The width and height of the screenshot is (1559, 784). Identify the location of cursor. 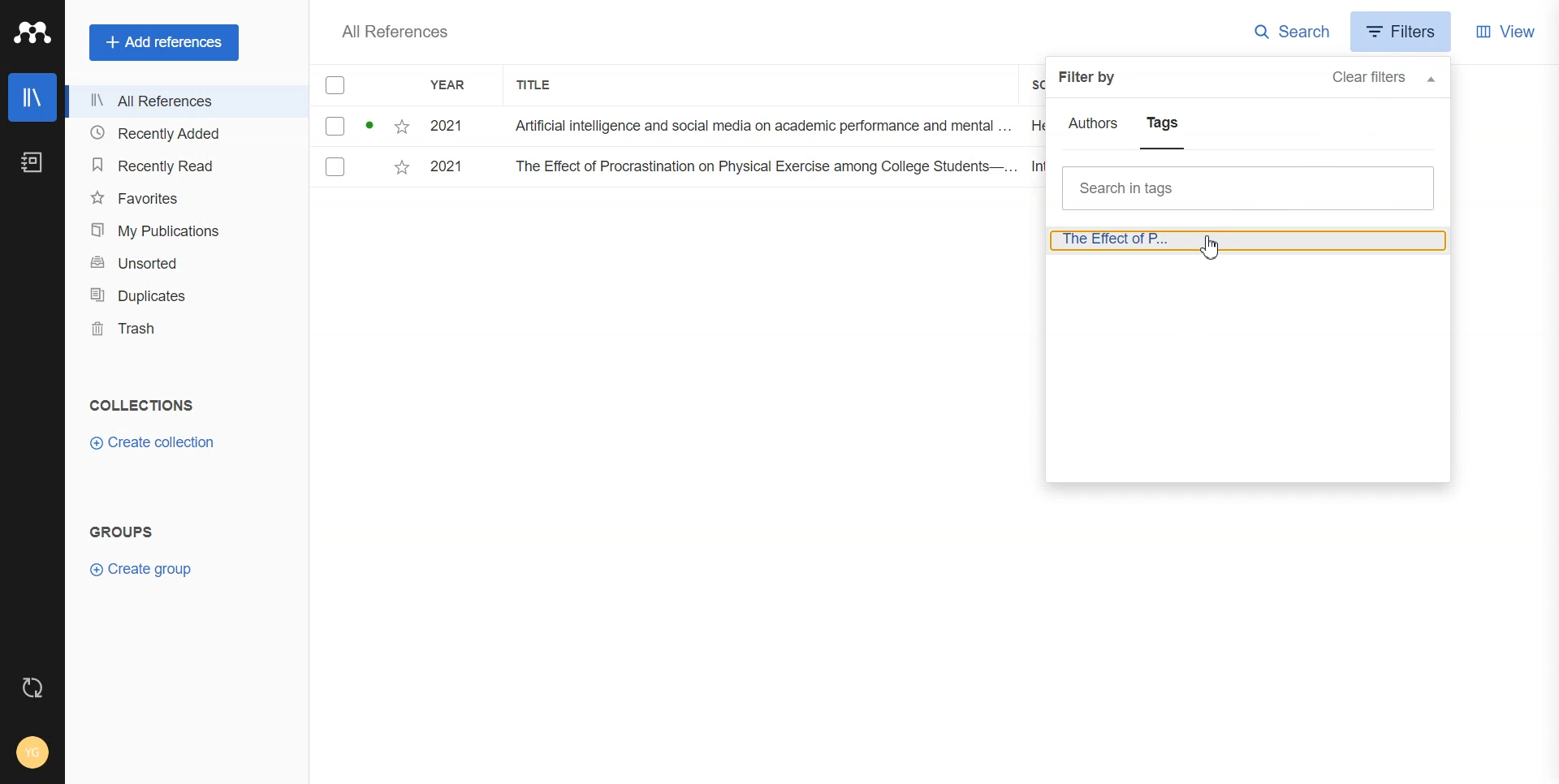
(1207, 249).